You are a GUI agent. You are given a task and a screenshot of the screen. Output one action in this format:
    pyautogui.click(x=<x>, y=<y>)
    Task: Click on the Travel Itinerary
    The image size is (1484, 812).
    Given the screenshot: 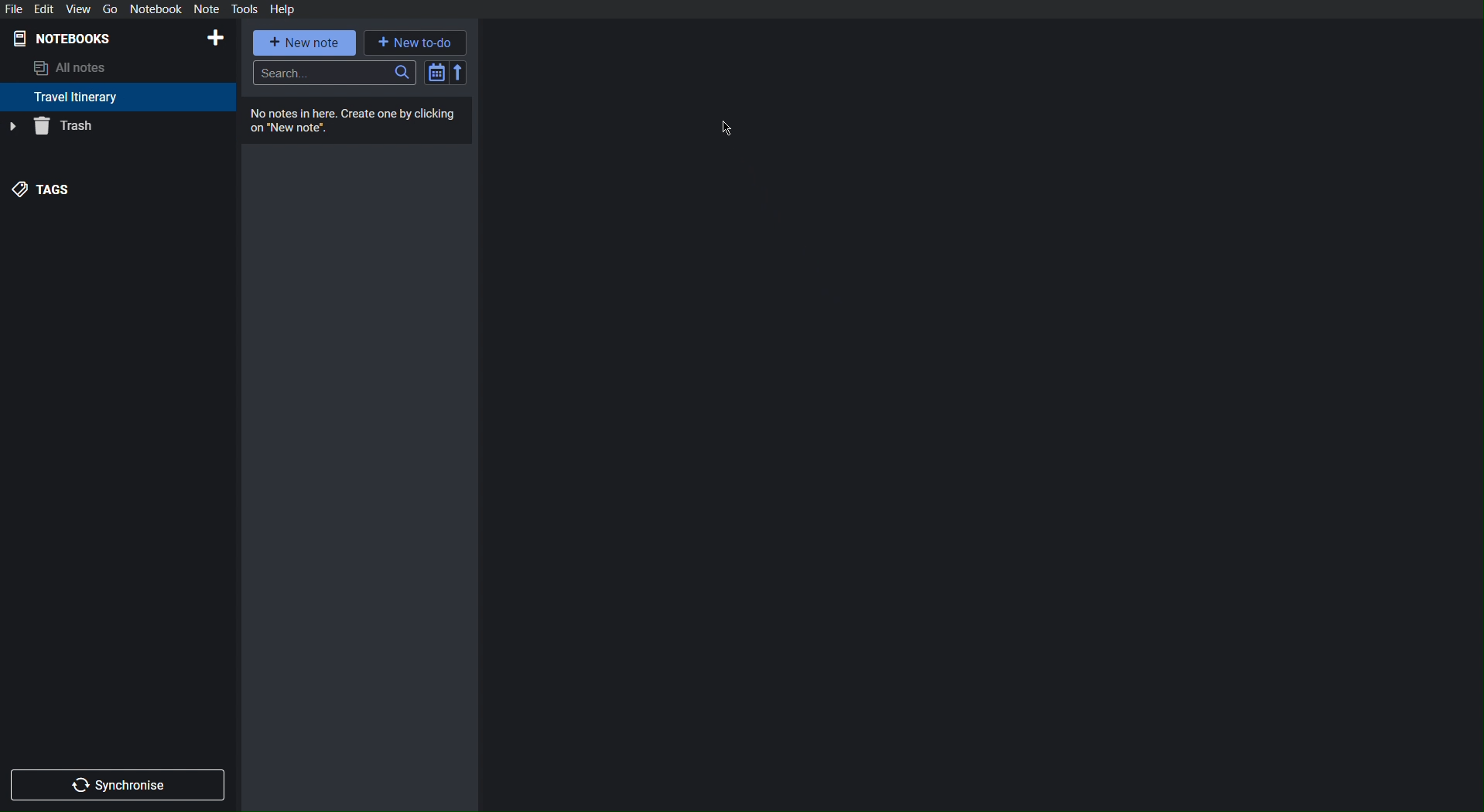 What is the action you would take?
    pyautogui.click(x=72, y=96)
    